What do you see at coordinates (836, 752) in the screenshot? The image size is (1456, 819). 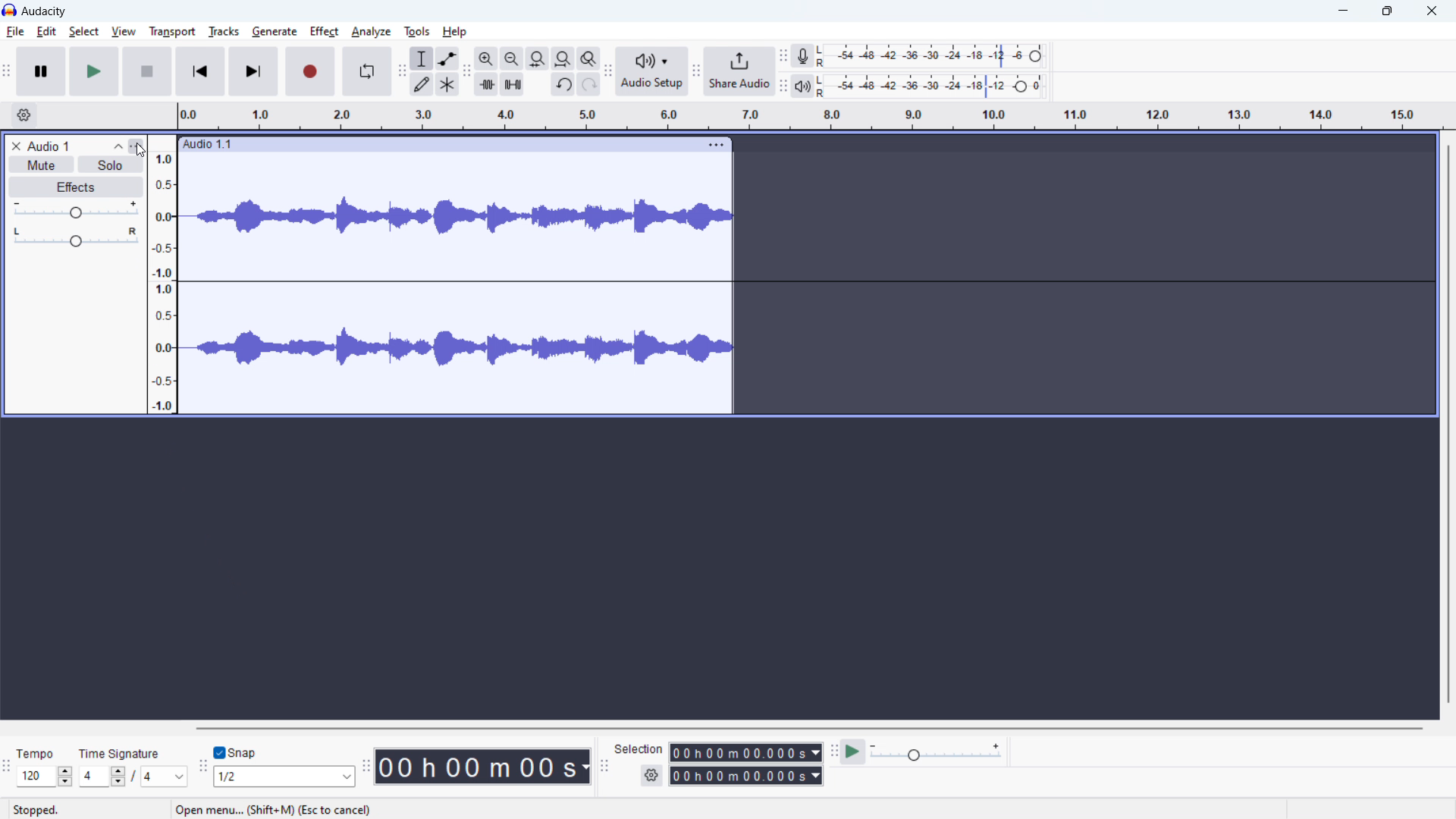 I see `play at speed toolbar` at bounding box center [836, 752].